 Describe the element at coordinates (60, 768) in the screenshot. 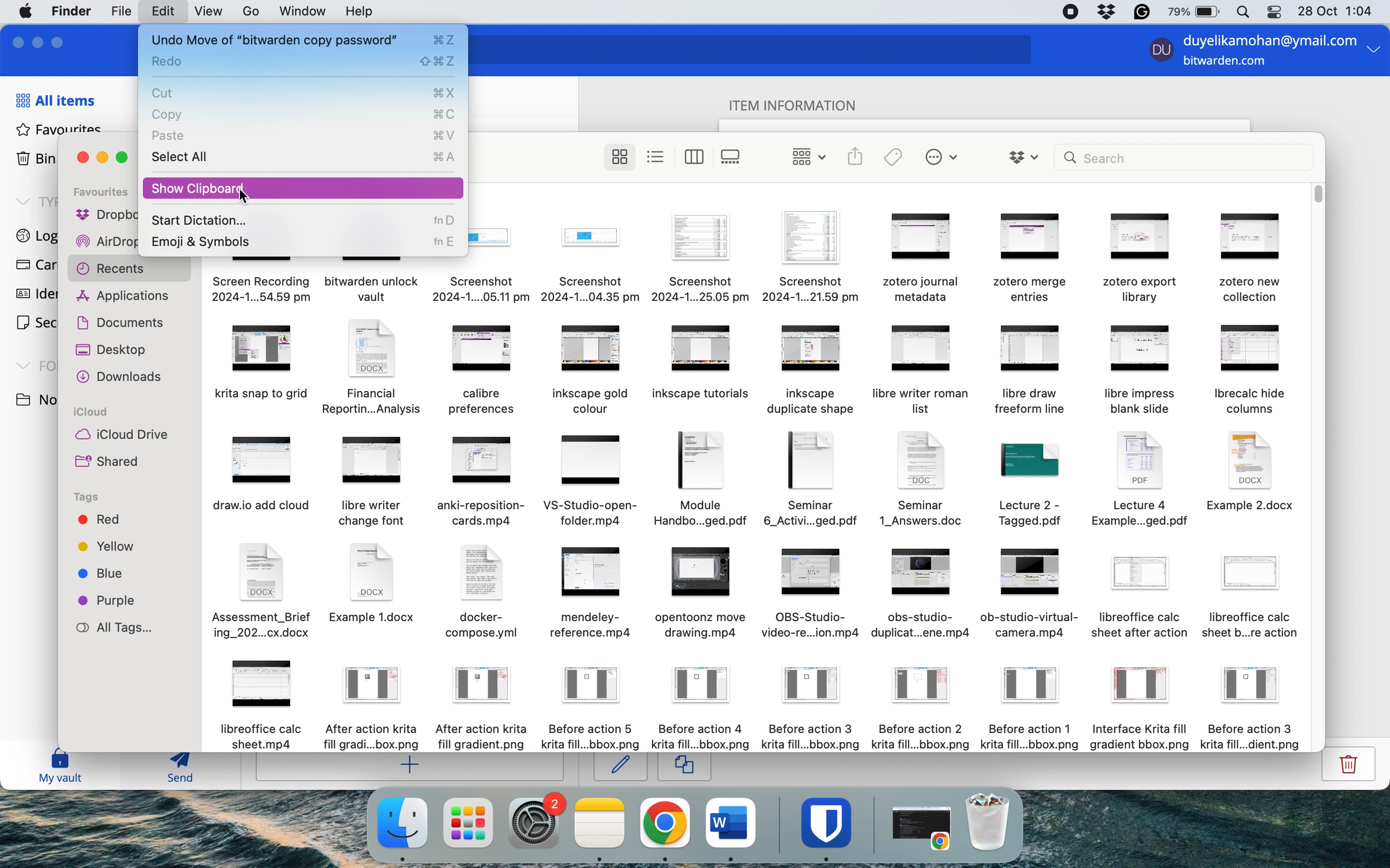

I see `my vault` at that location.